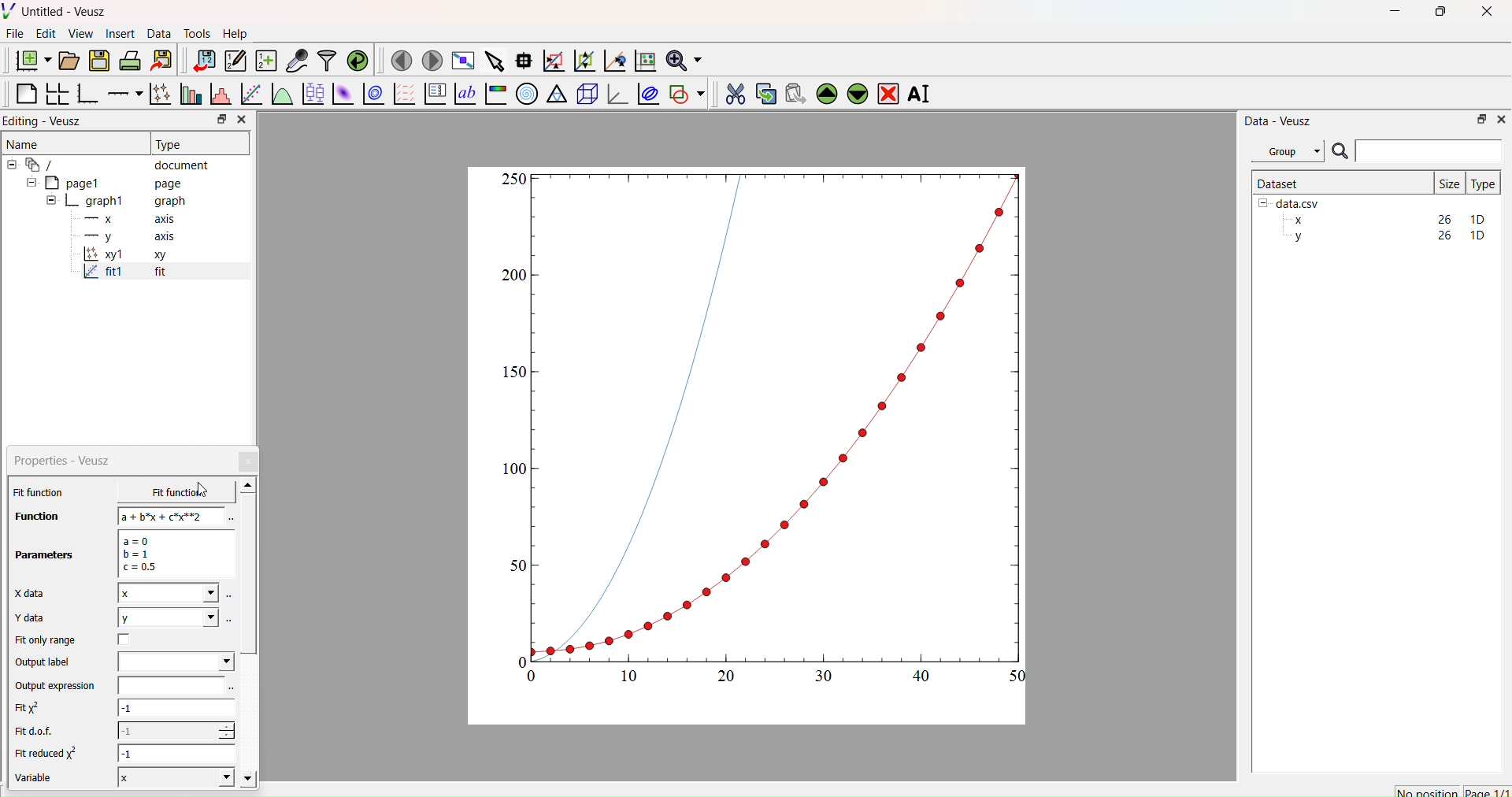 The width and height of the screenshot is (1512, 797). What do you see at coordinates (494, 94) in the screenshot?
I see `Image color bar` at bounding box center [494, 94].